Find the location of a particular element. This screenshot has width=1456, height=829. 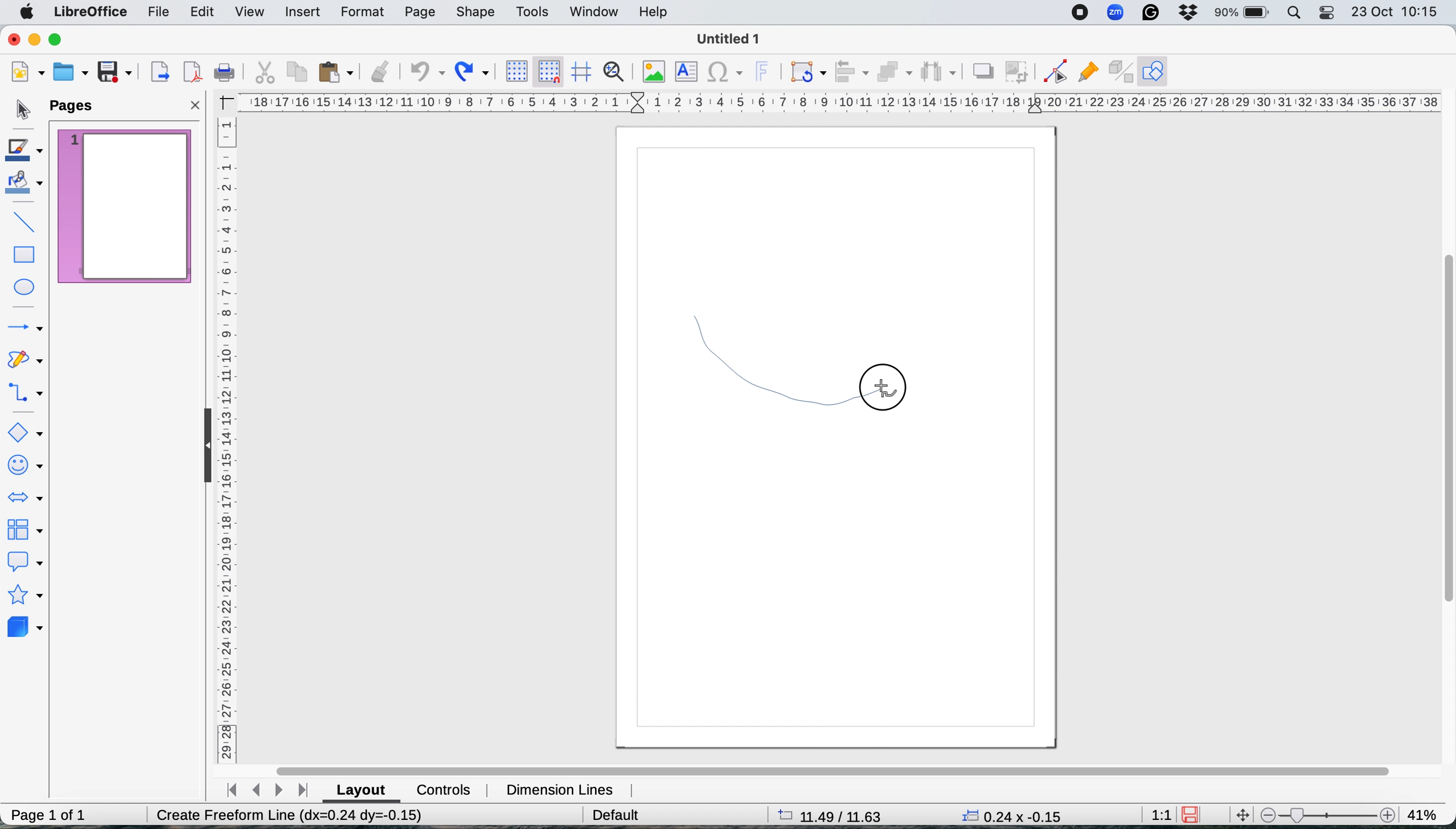

help is located at coordinates (657, 13).